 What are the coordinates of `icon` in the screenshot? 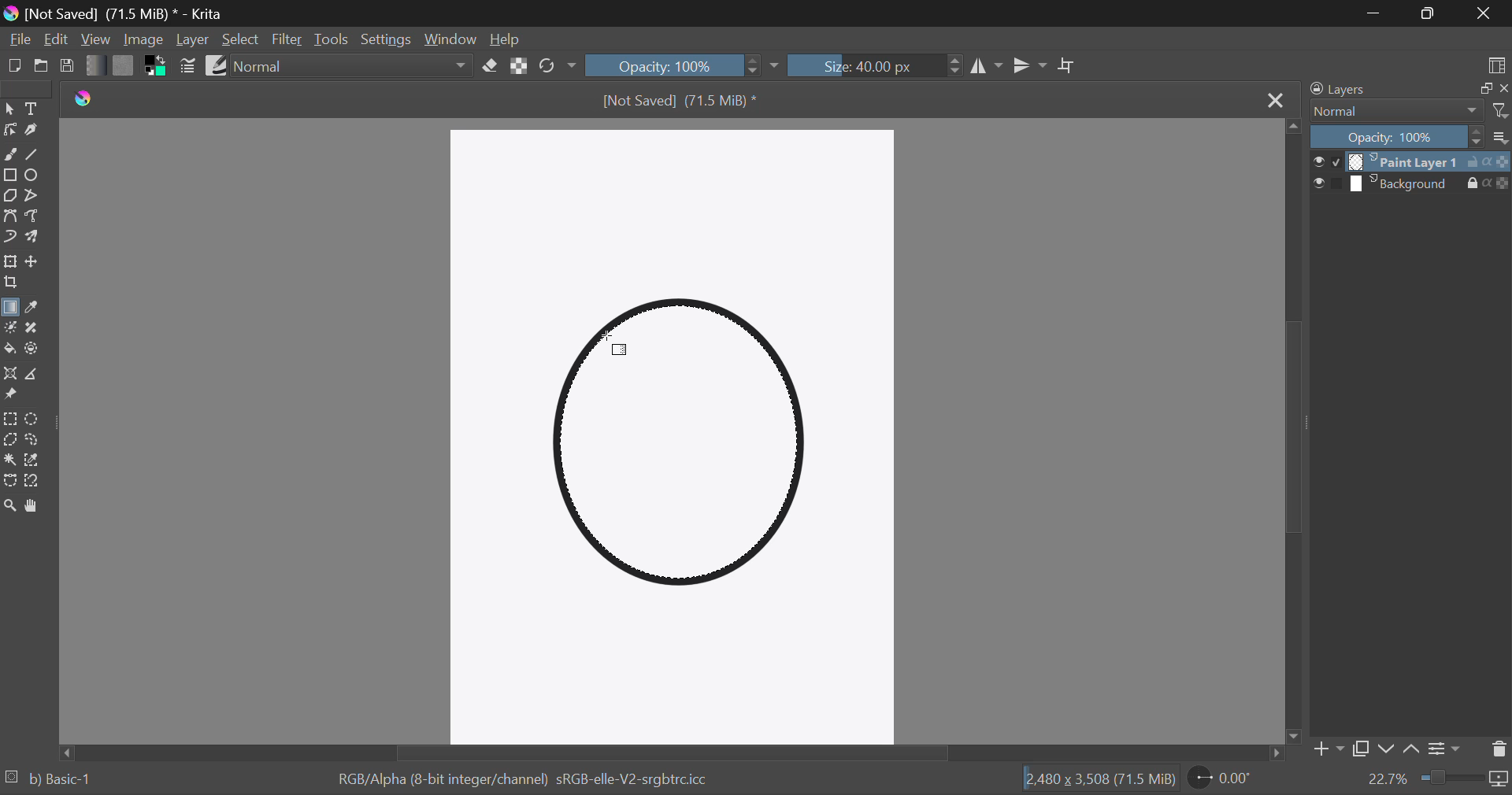 It's located at (1501, 782).